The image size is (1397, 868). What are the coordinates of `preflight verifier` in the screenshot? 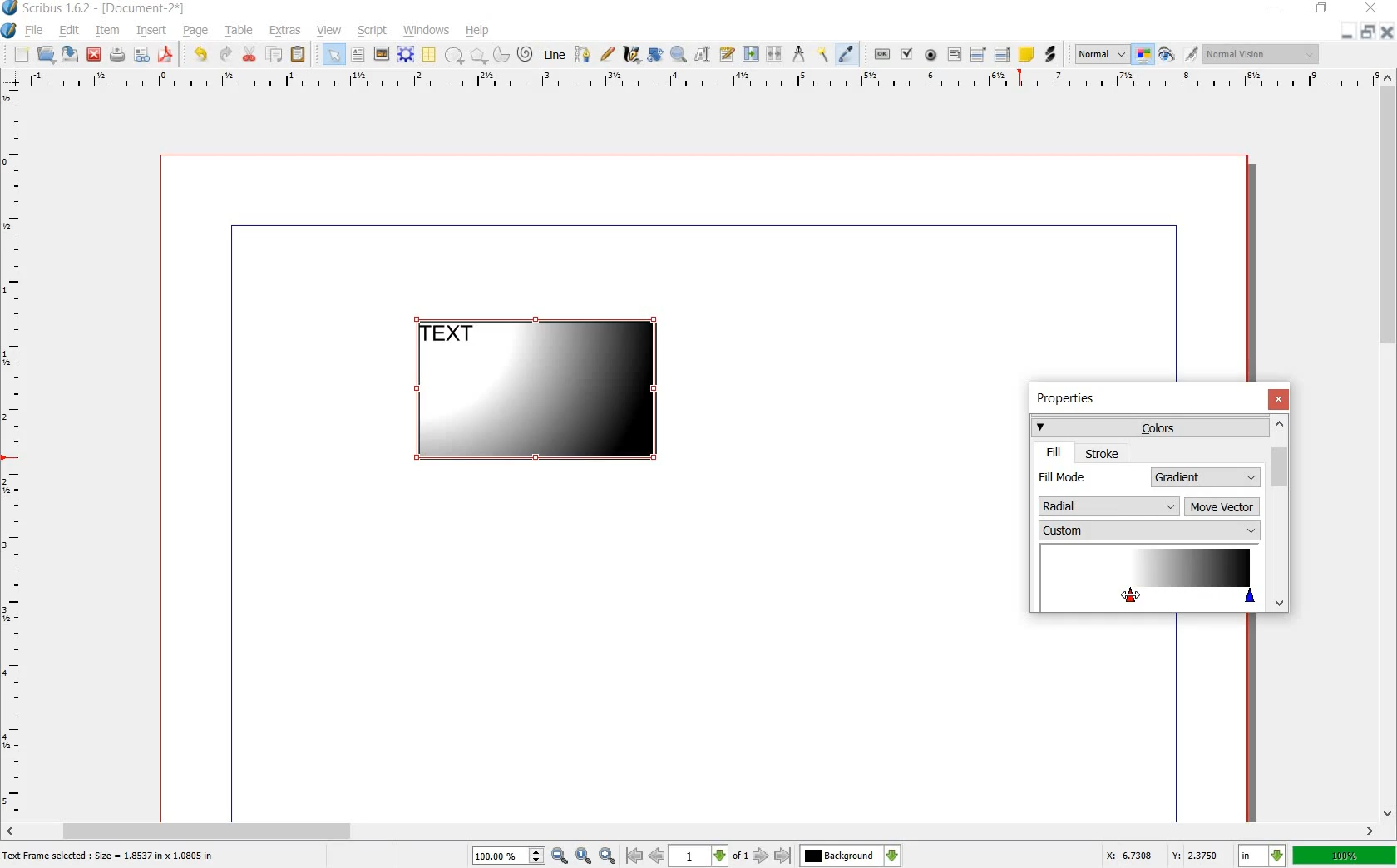 It's located at (141, 55).